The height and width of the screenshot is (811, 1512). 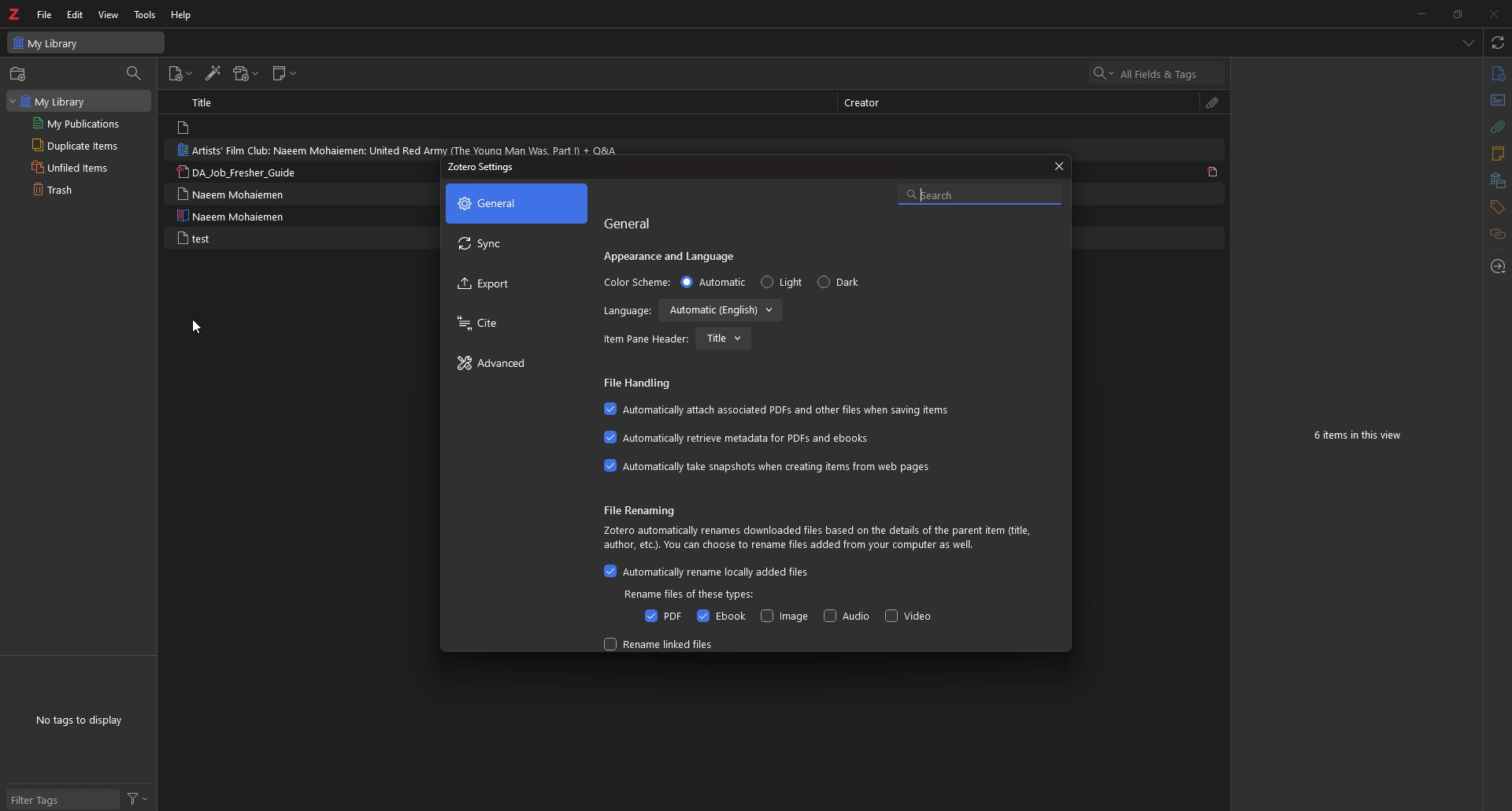 What do you see at coordinates (192, 238) in the screenshot?
I see `test` at bounding box center [192, 238].